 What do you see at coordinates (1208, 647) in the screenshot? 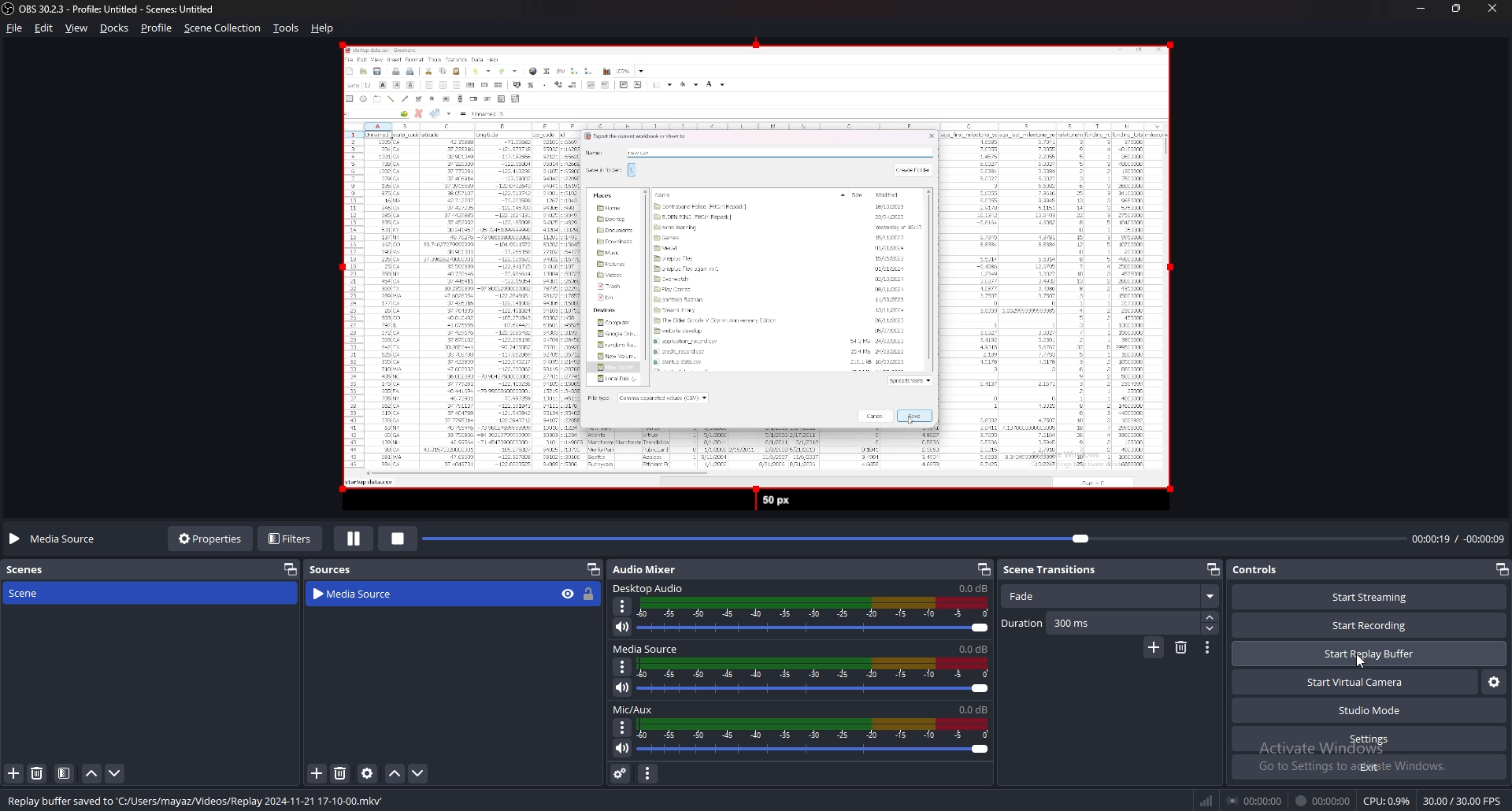
I see `transition properties` at bounding box center [1208, 647].